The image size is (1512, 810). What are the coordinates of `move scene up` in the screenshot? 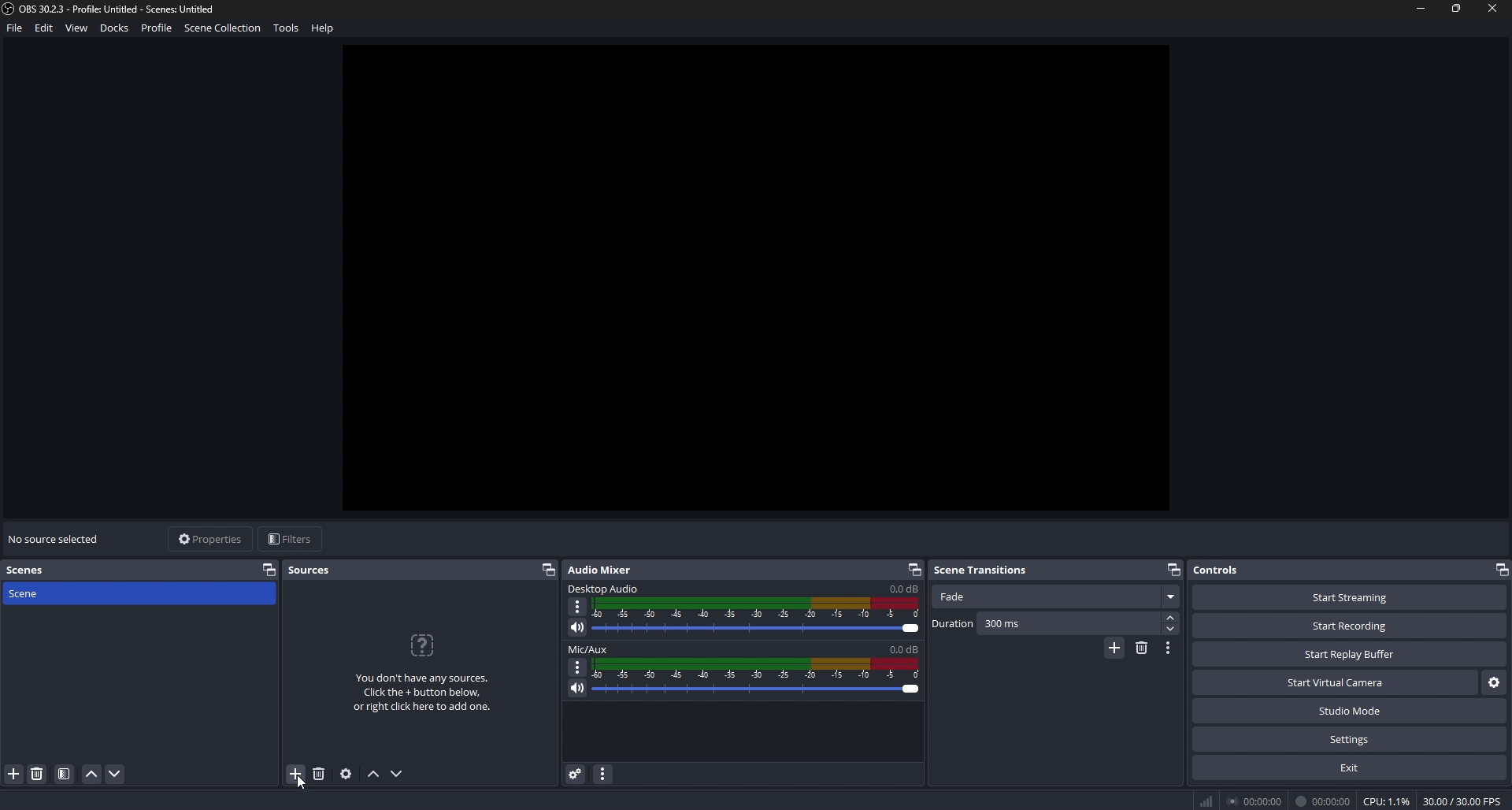 It's located at (91, 775).